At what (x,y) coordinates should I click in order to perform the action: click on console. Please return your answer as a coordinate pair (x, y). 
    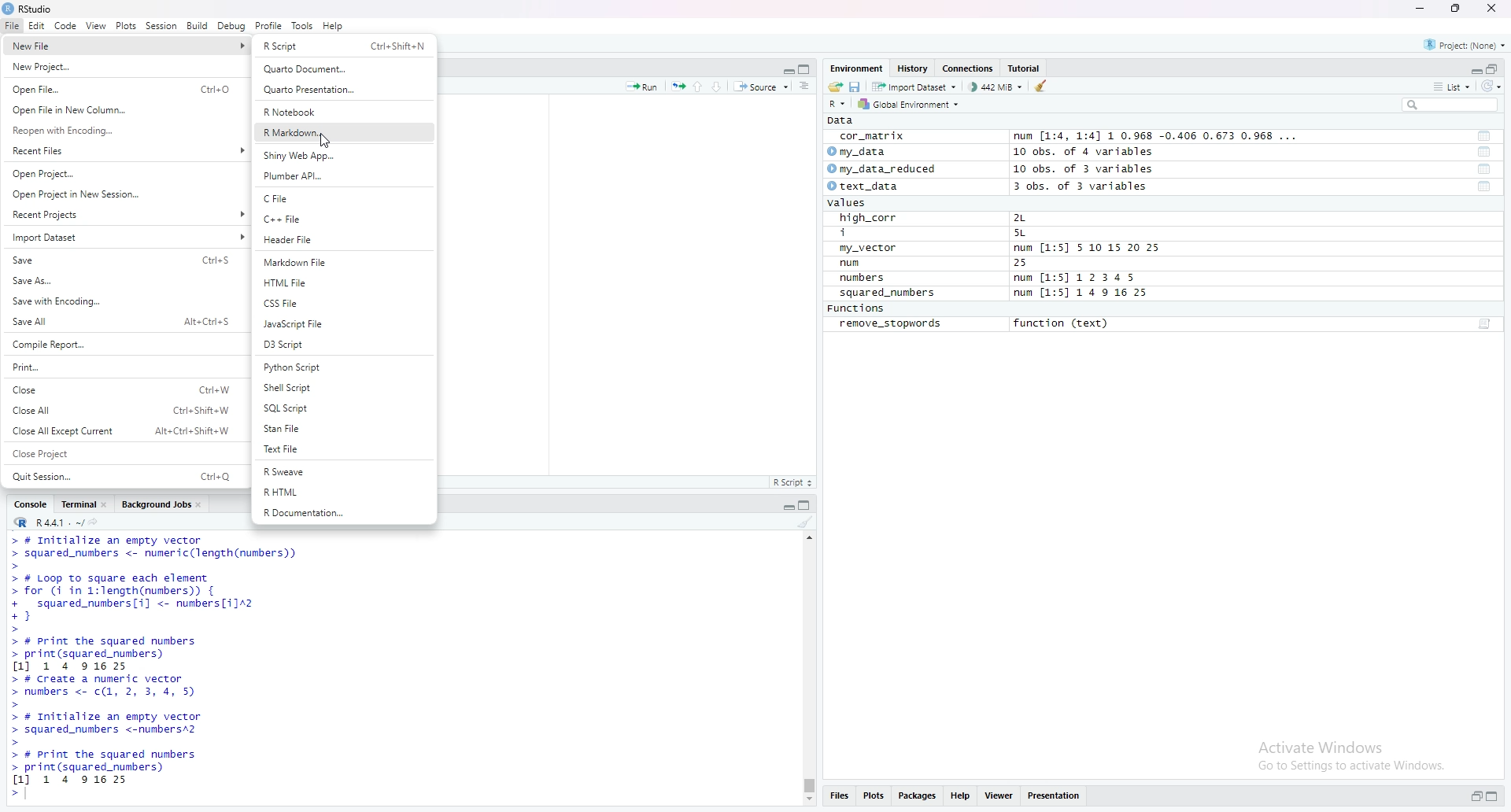
    Looking at the image, I should click on (28, 506).